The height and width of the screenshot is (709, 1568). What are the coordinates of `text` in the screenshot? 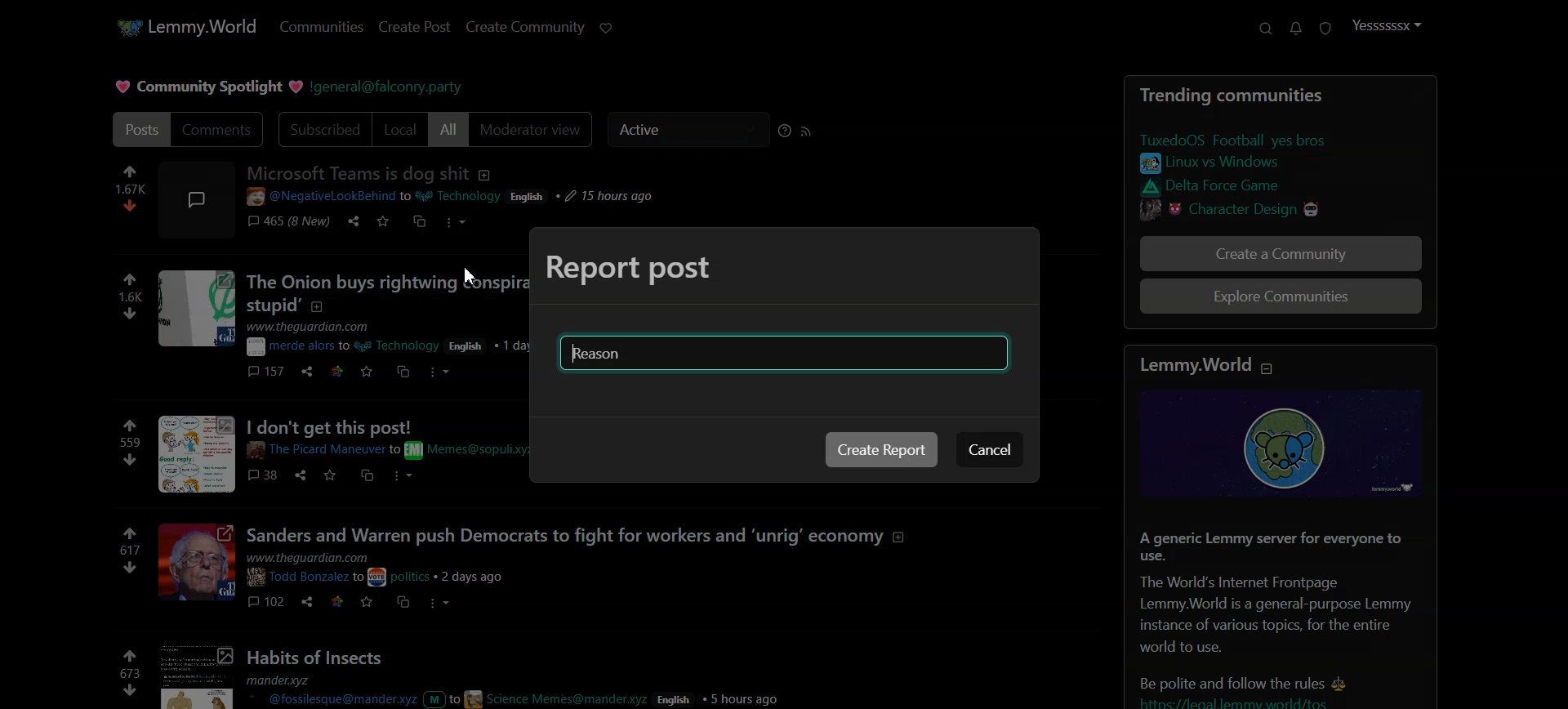 It's located at (1217, 368).